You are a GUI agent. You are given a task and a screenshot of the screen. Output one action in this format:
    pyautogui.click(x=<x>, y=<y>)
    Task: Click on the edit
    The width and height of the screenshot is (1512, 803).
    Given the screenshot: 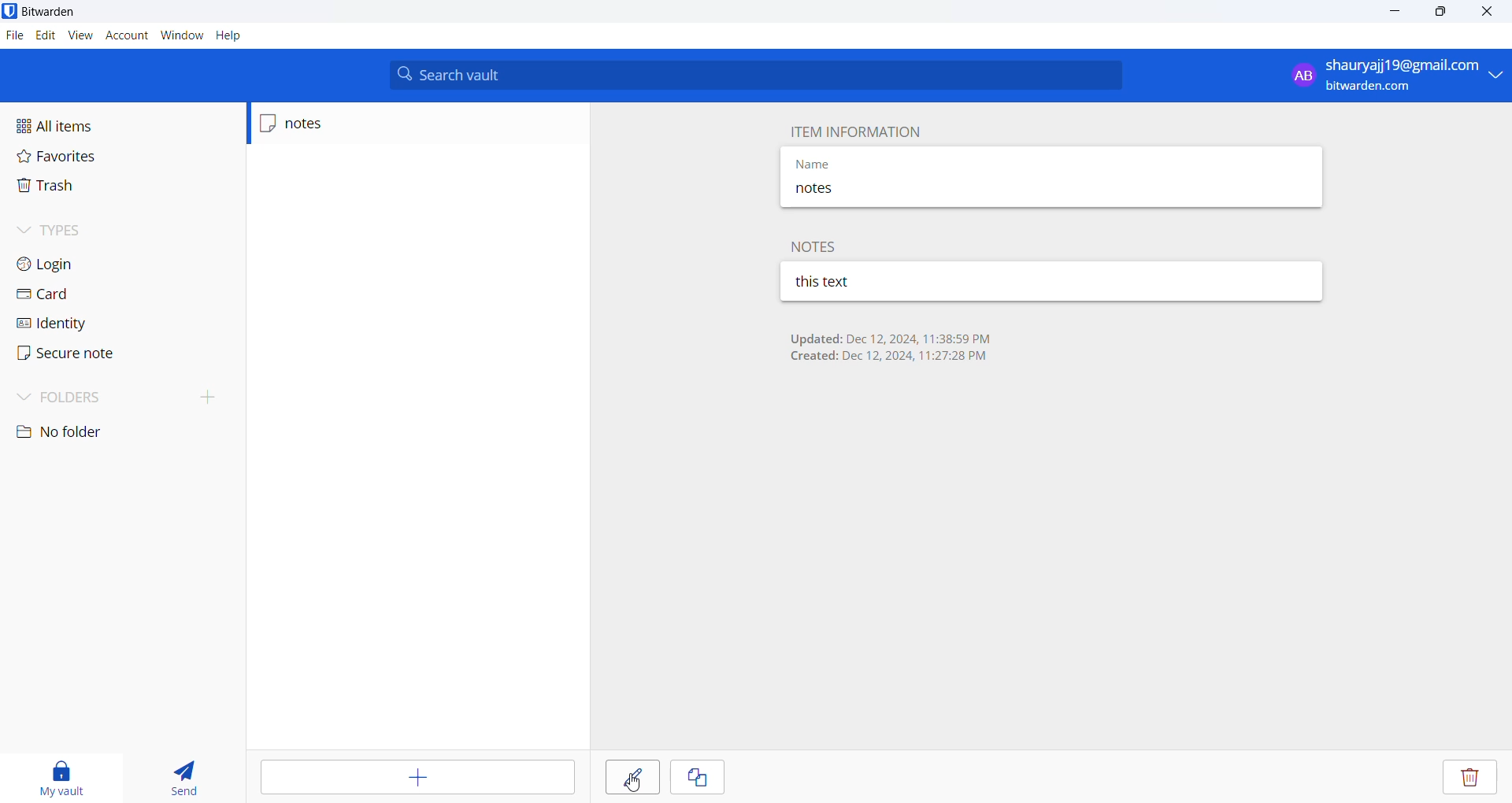 What is the action you would take?
    pyautogui.click(x=632, y=776)
    